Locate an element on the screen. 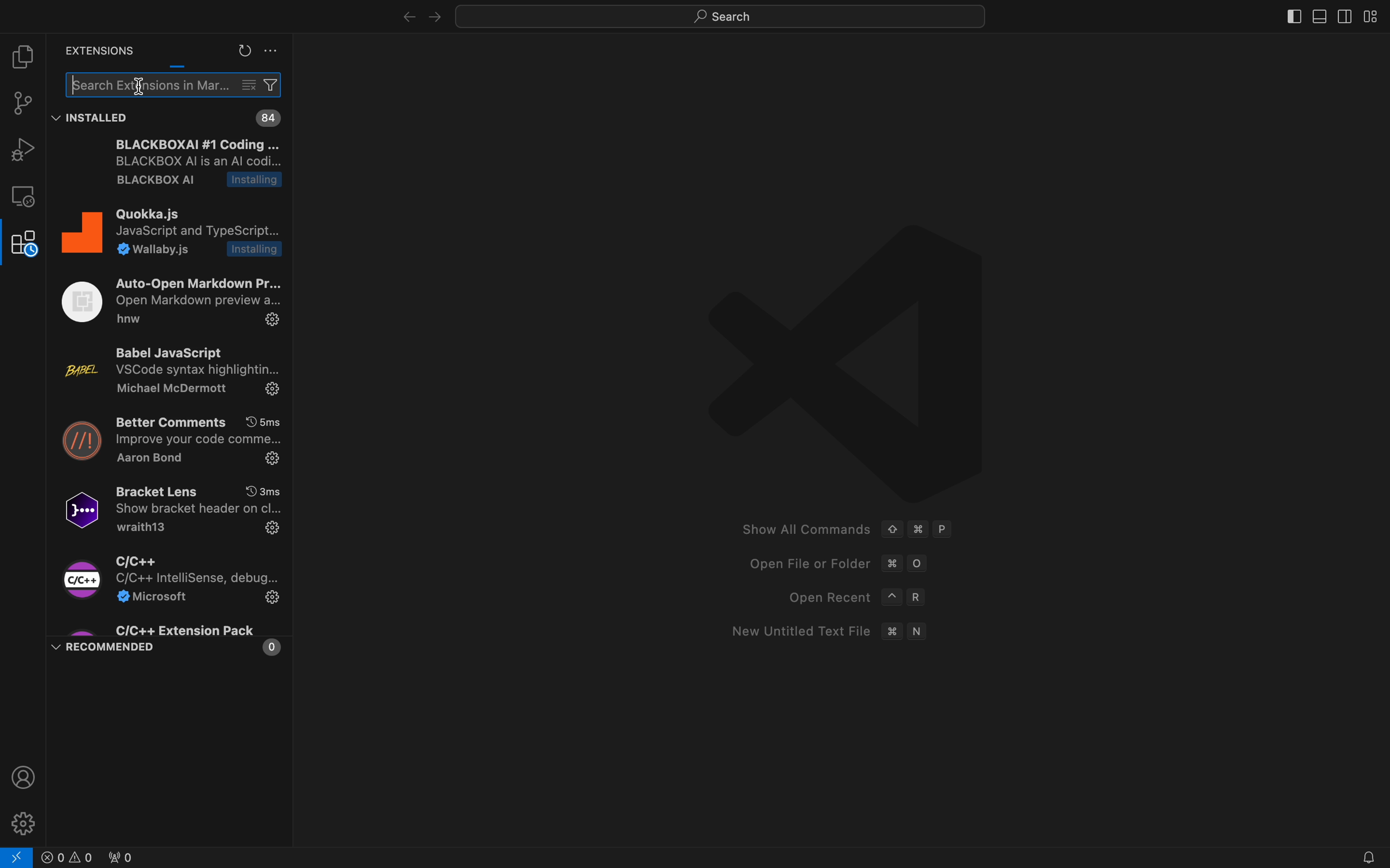  new untitled text file is located at coordinates (826, 632).